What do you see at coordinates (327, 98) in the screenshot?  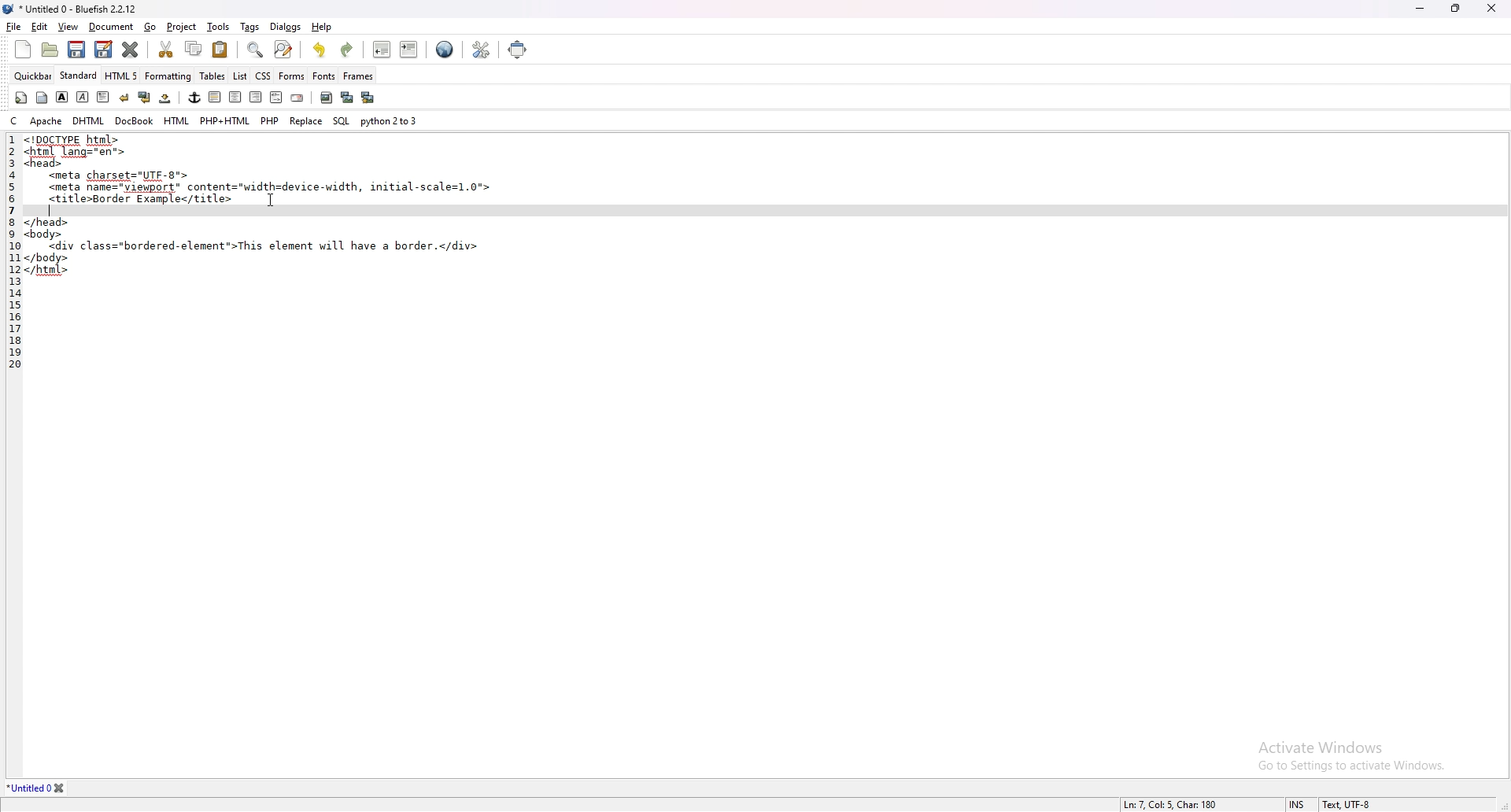 I see `insert image` at bounding box center [327, 98].